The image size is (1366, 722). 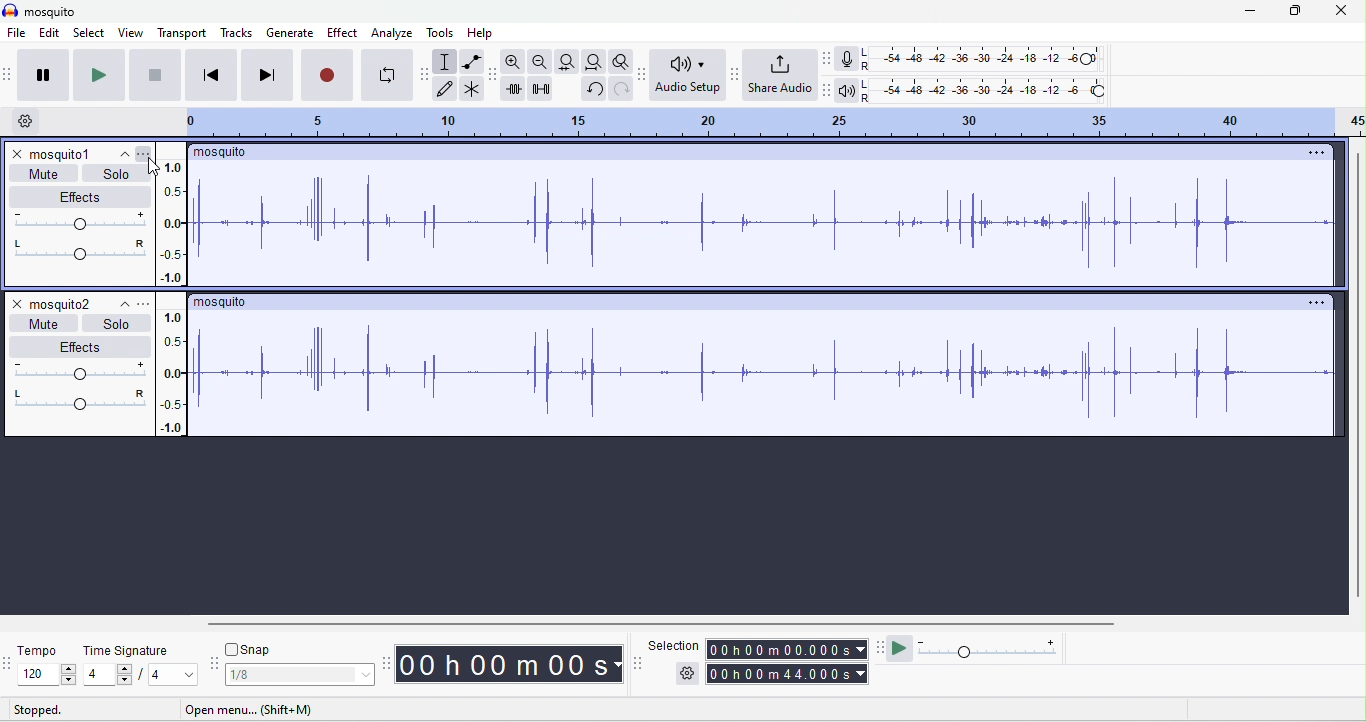 What do you see at coordinates (1246, 11) in the screenshot?
I see `minimize` at bounding box center [1246, 11].